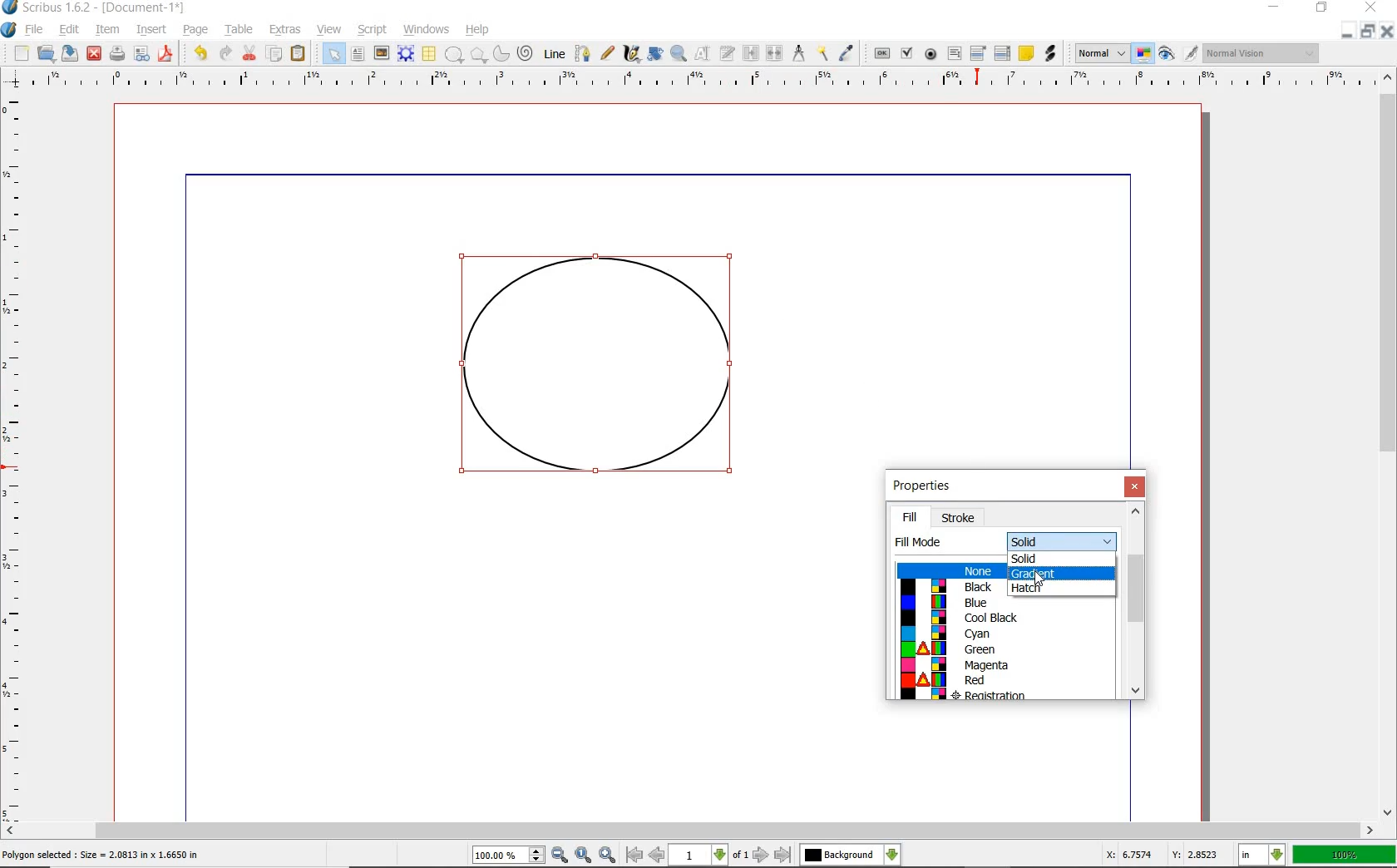 The height and width of the screenshot is (868, 1397). I want to click on colorcolor, so click(1006, 694).